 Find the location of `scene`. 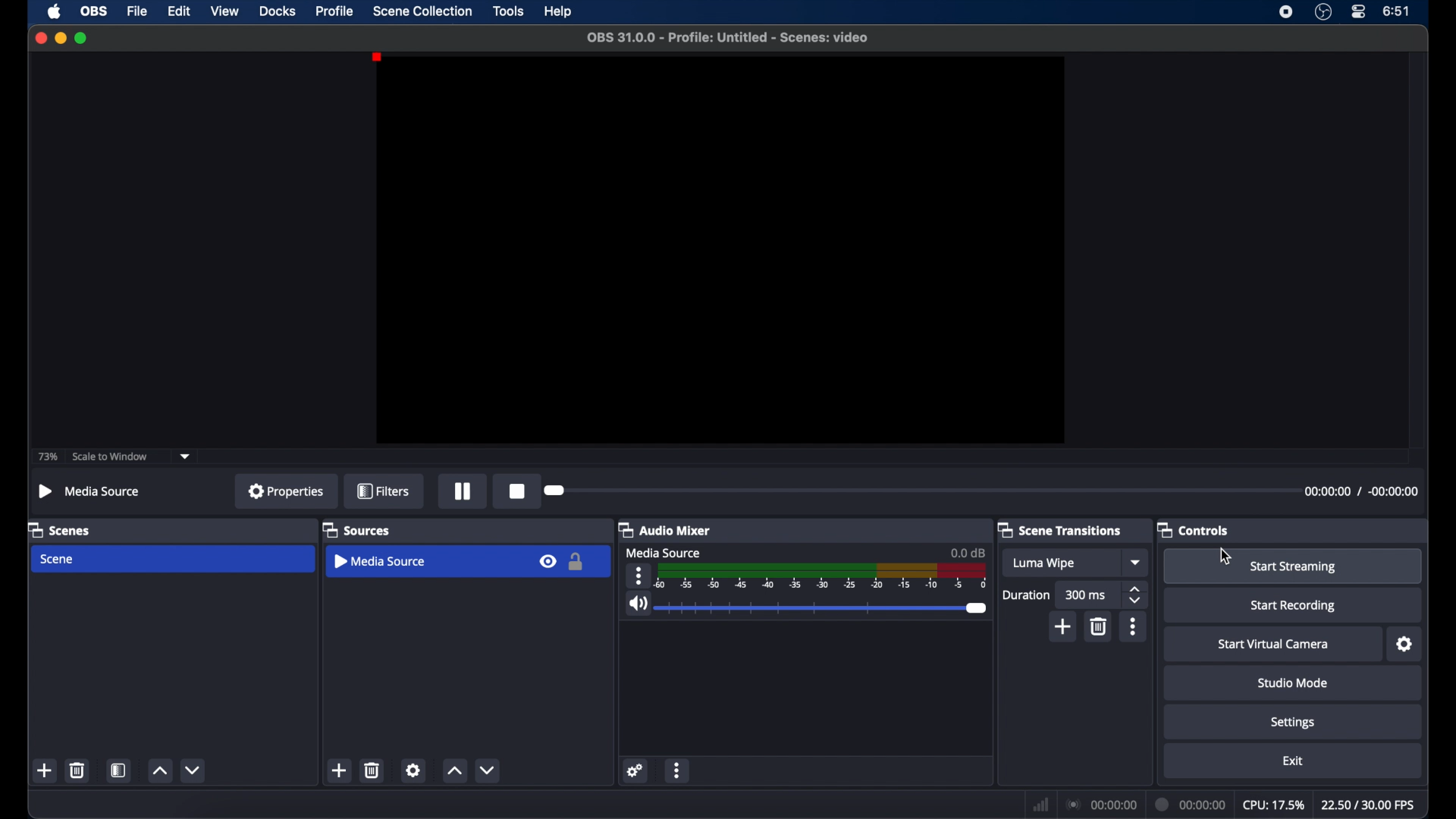

scene is located at coordinates (58, 560).